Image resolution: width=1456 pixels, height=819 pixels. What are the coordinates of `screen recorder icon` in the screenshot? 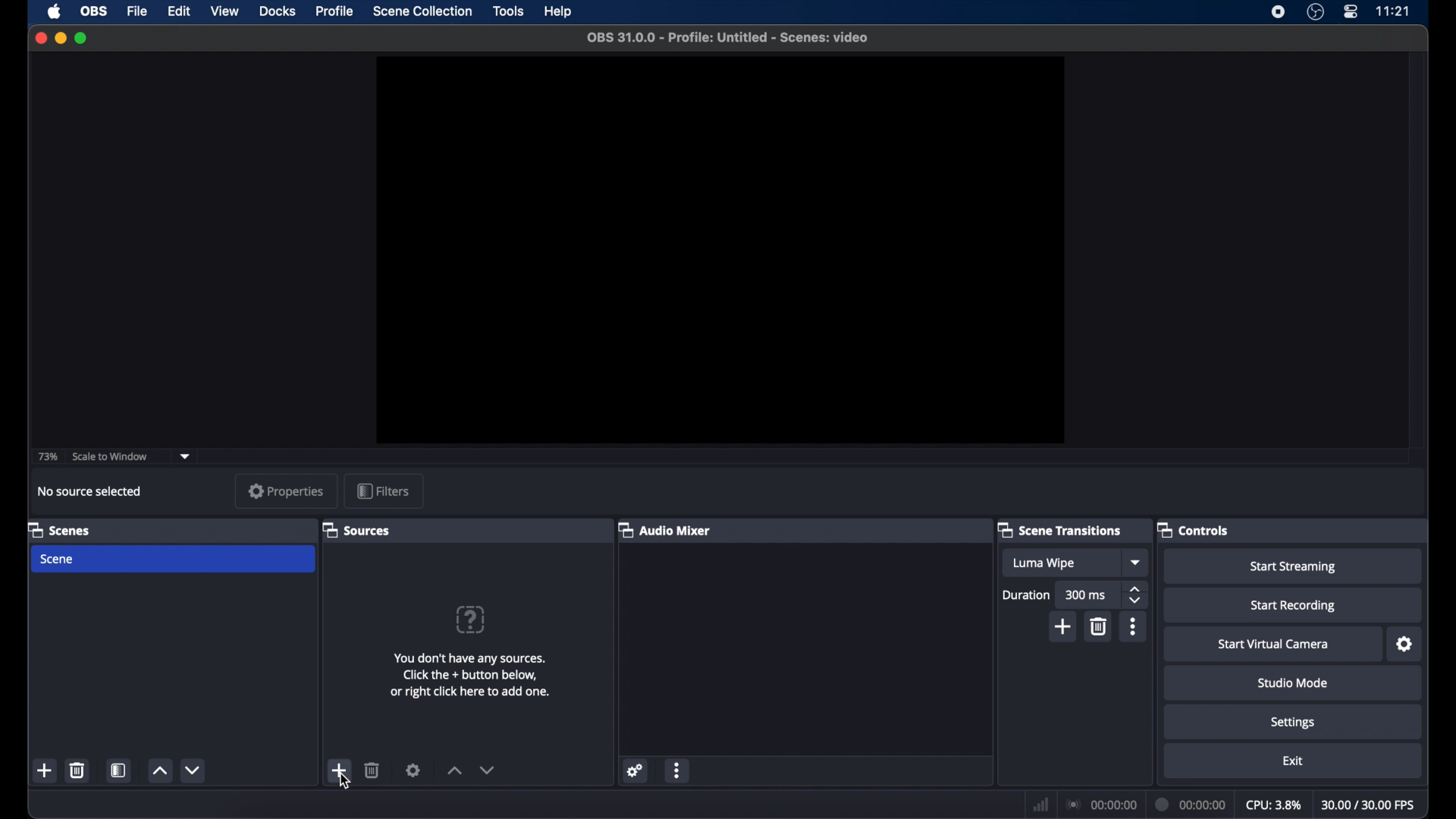 It's located at (1278, 11).